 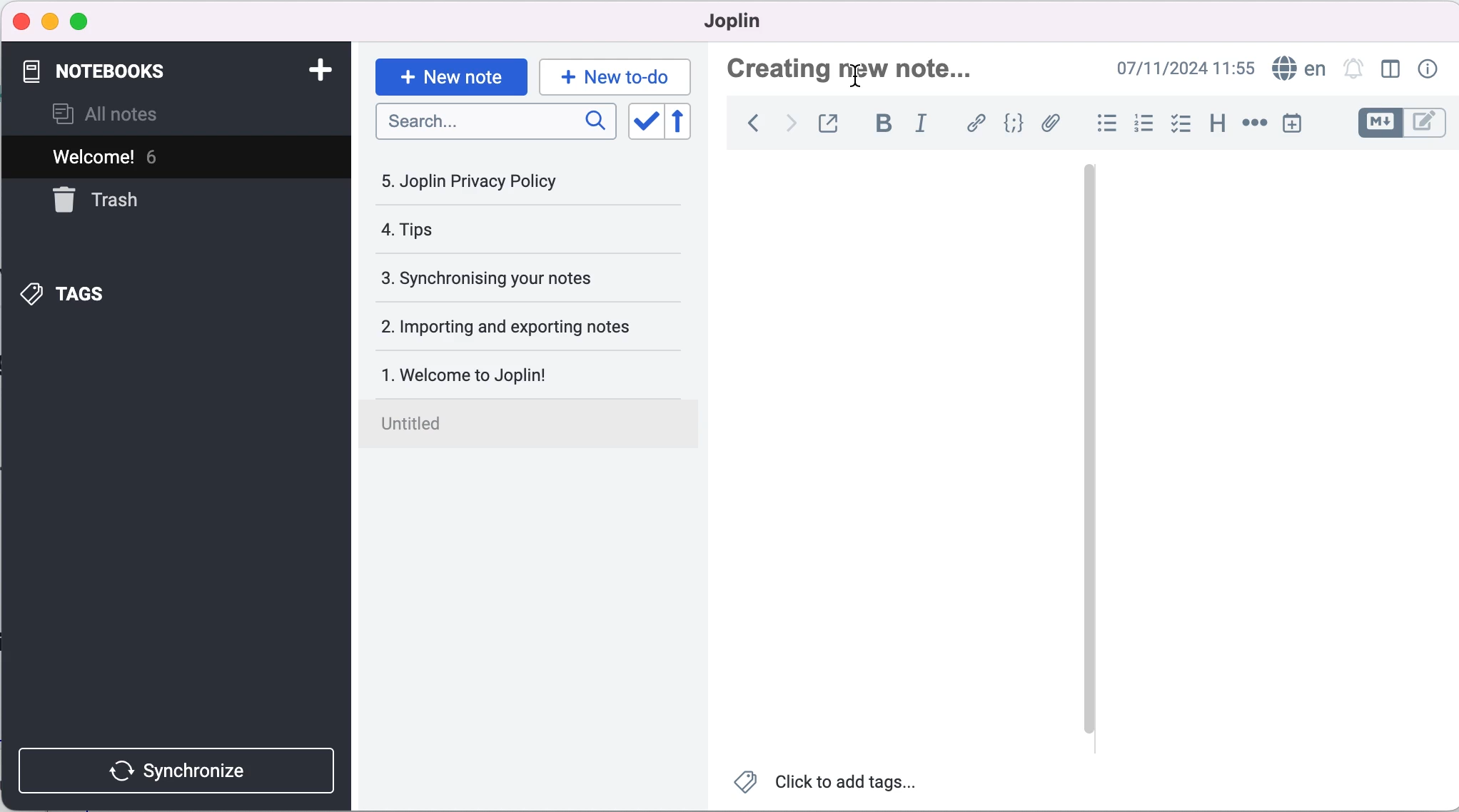 What do you see at coordinates (786, 127) in the screenshot?
I see `forward` at bounding box center [786, 127].